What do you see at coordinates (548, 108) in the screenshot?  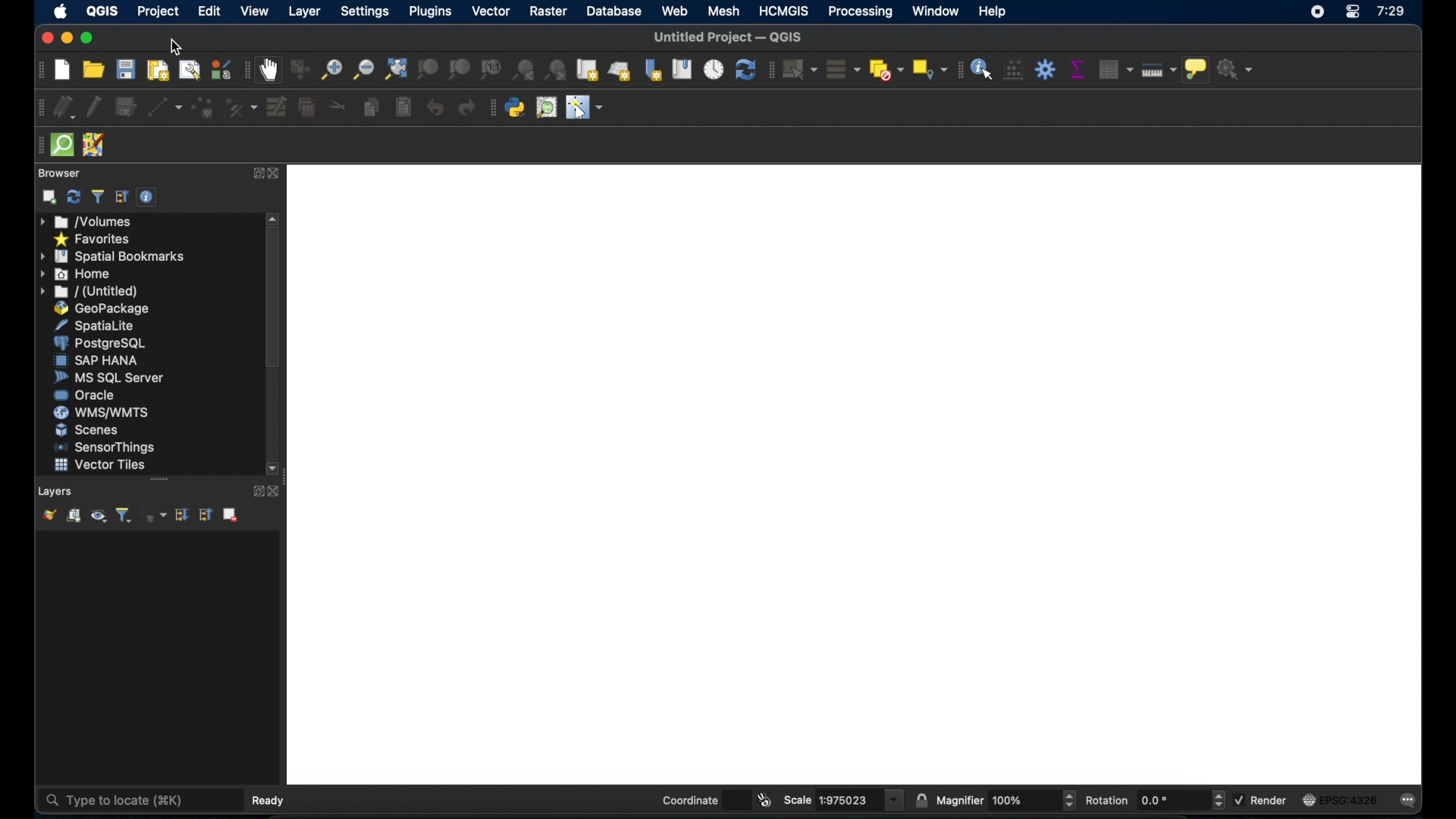 I see `osm place search` at bounding box center [548, 108].